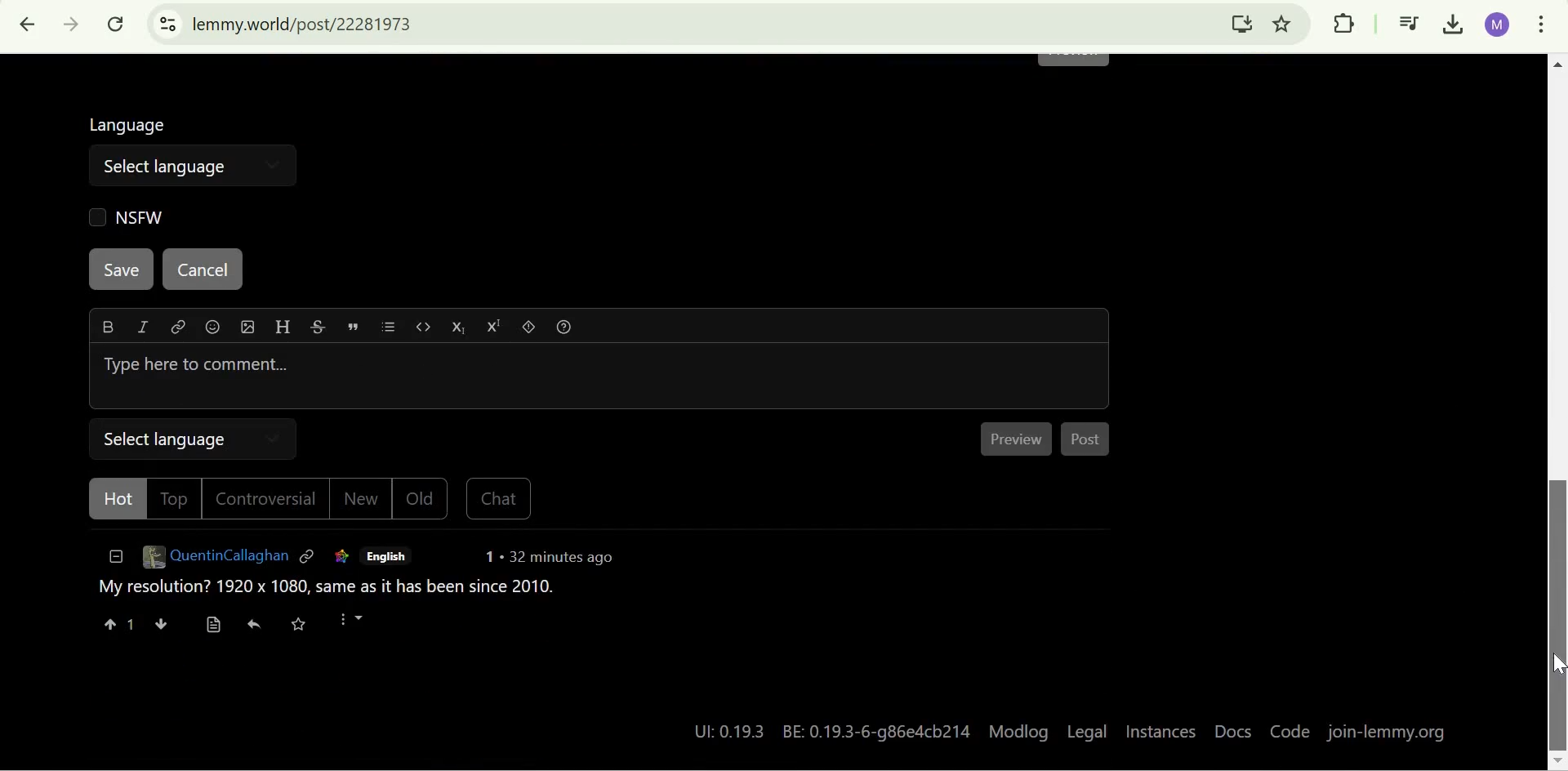 The height and width of the screenshot is (771, 1568). Describe the element at coordinates (113, 561) in the screenshot. I see `collapse` at that location.